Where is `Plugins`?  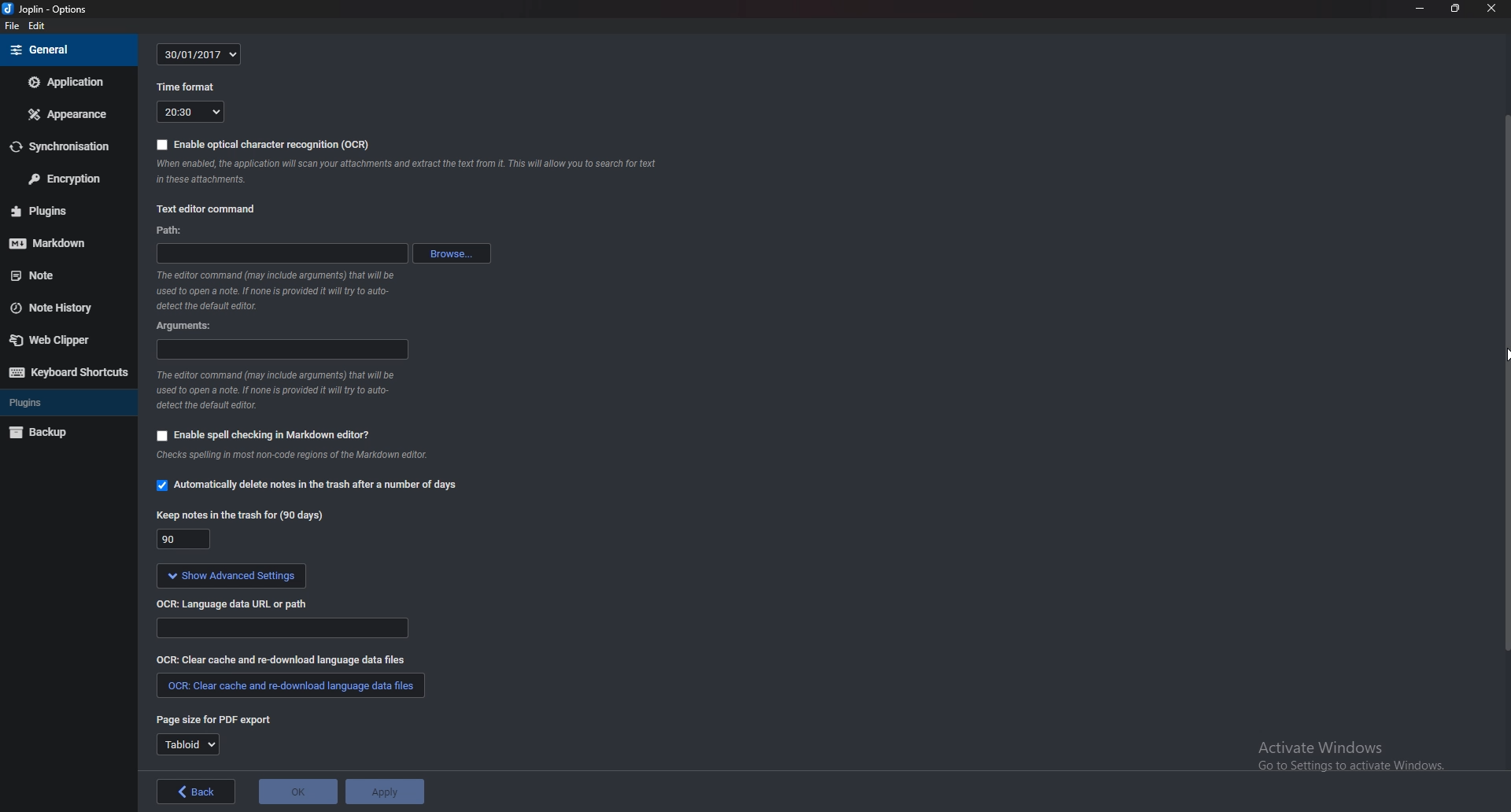 Plugins is located at coordinates (60, 404).